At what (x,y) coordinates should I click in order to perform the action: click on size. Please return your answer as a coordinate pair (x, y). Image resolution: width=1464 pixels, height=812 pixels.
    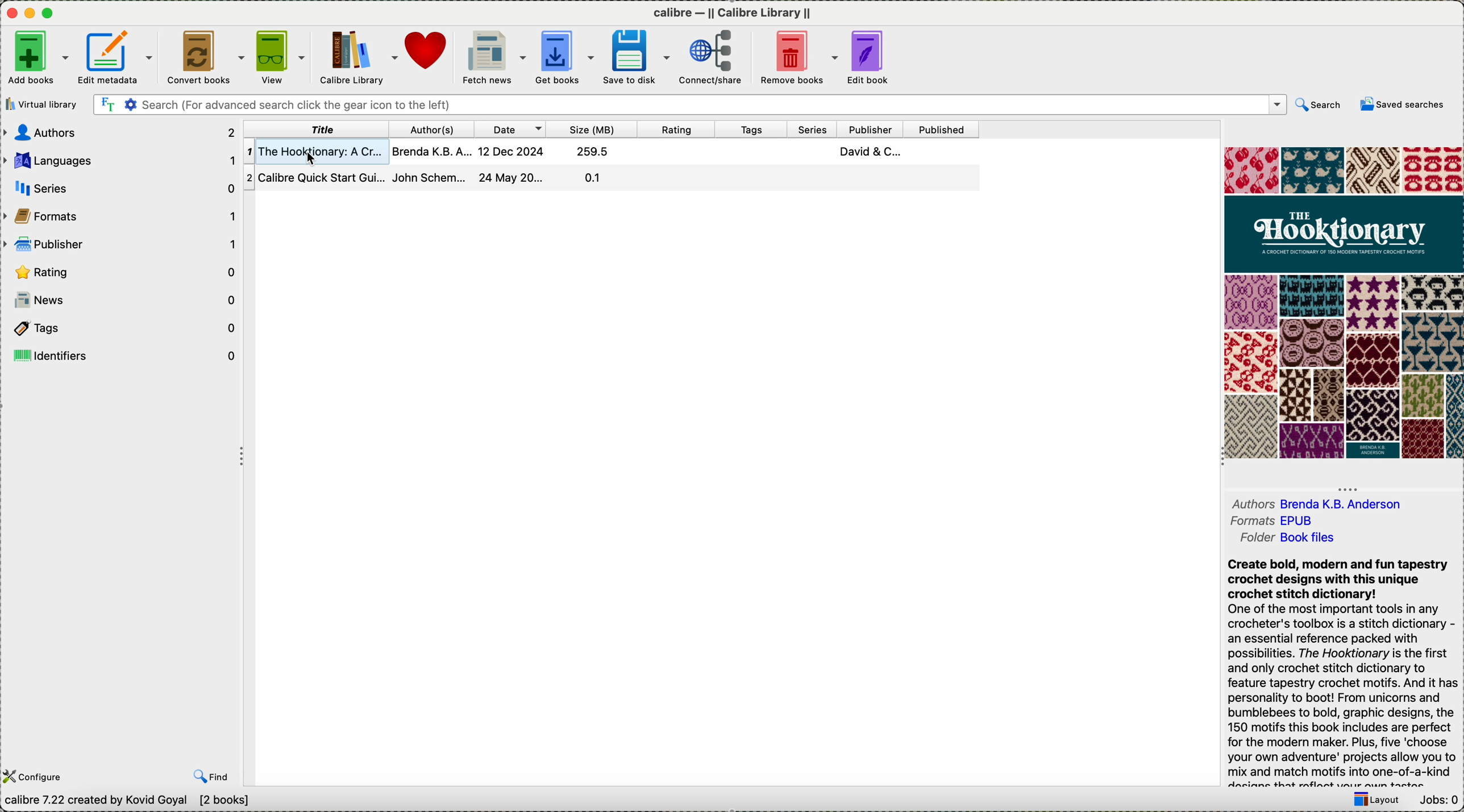
    Looking at the image, I should click on (589, 130).